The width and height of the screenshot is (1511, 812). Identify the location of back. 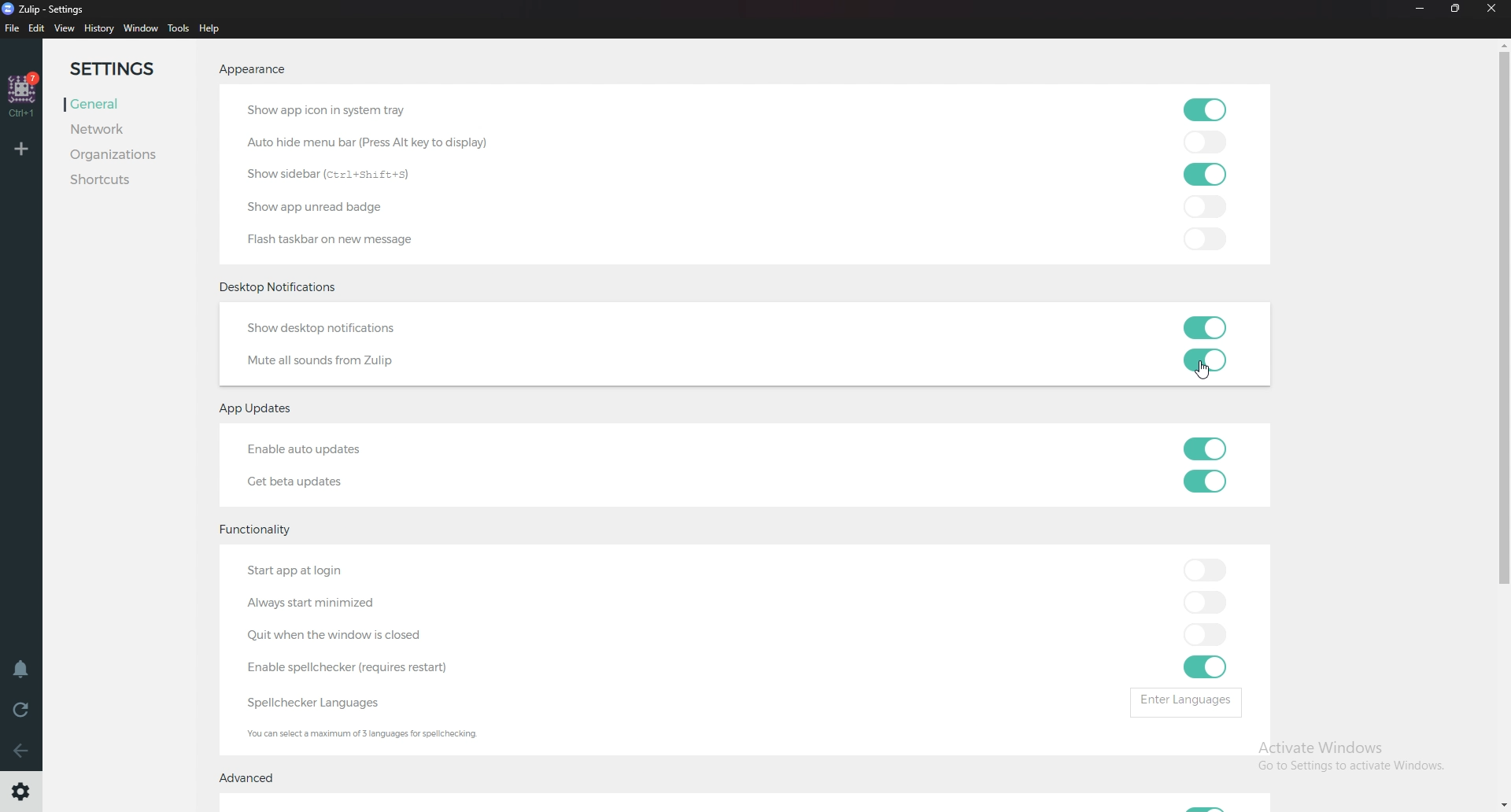
(21, 746).